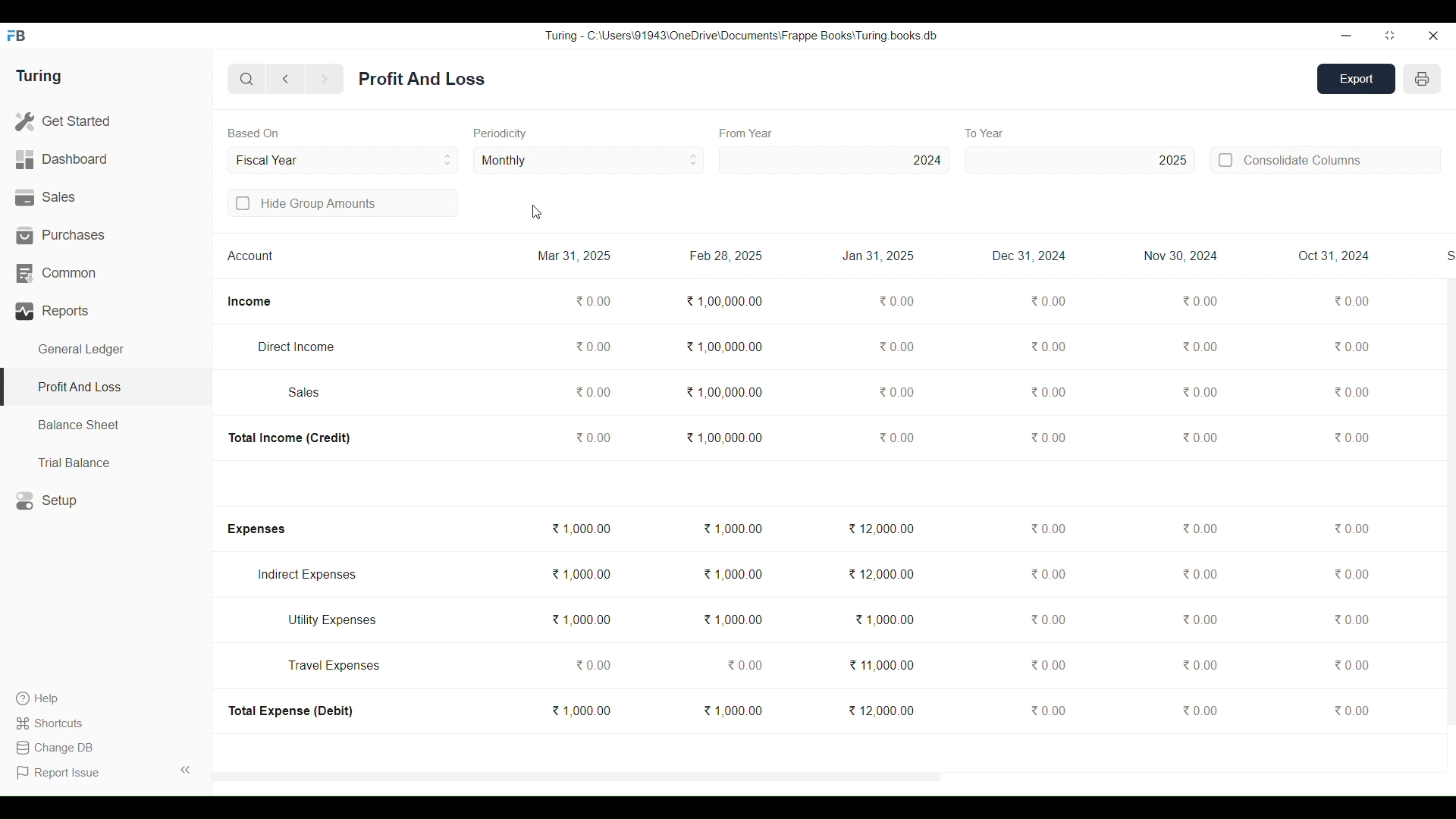 The width and height of the screenshot is (1456, 819). Describe the element at coordinates (745, 665) in the screenshot. I see `0.00` at that location.